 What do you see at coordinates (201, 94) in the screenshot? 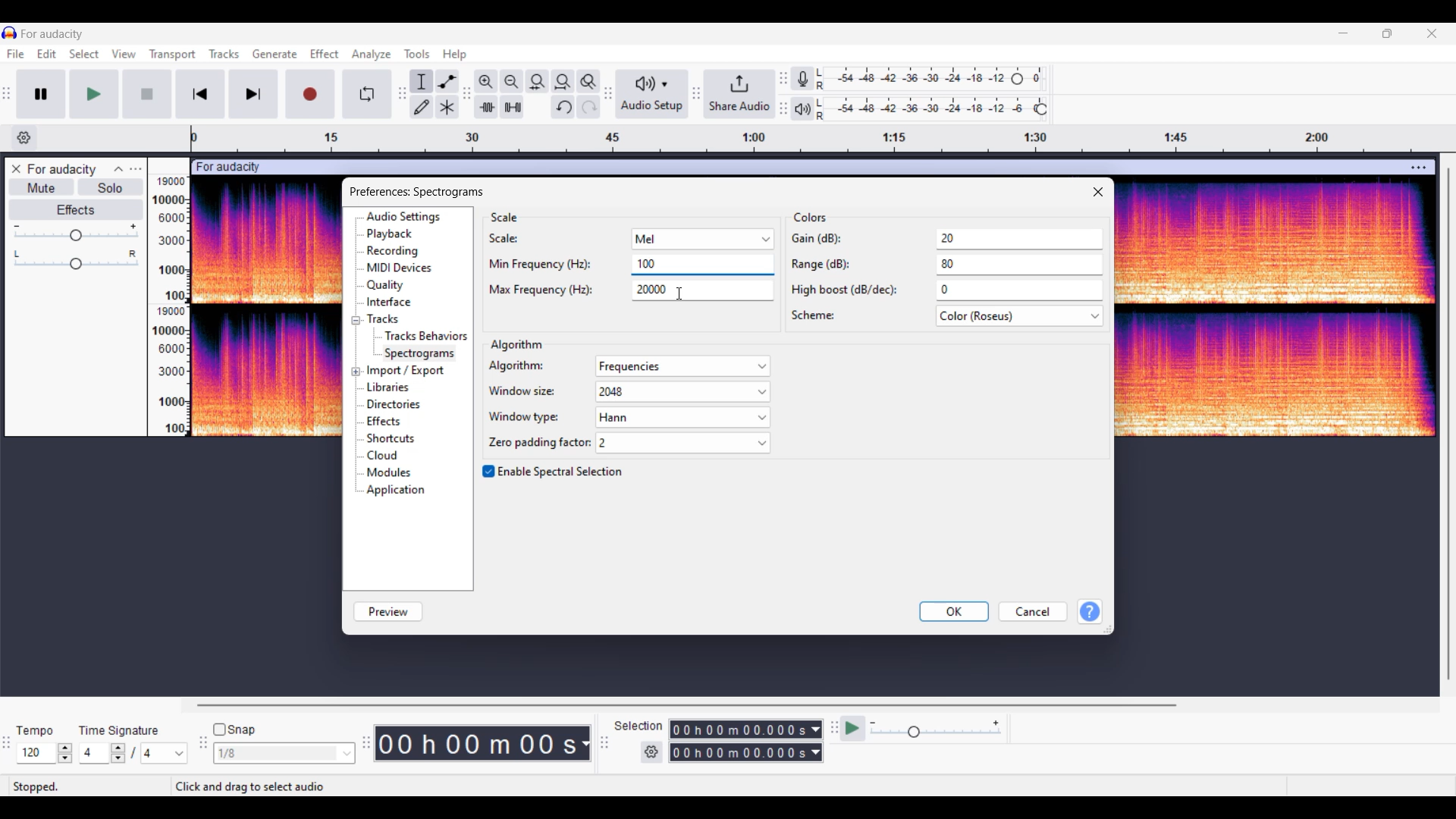
I see `Skip/Select to start` at bounding box center [201, 94].